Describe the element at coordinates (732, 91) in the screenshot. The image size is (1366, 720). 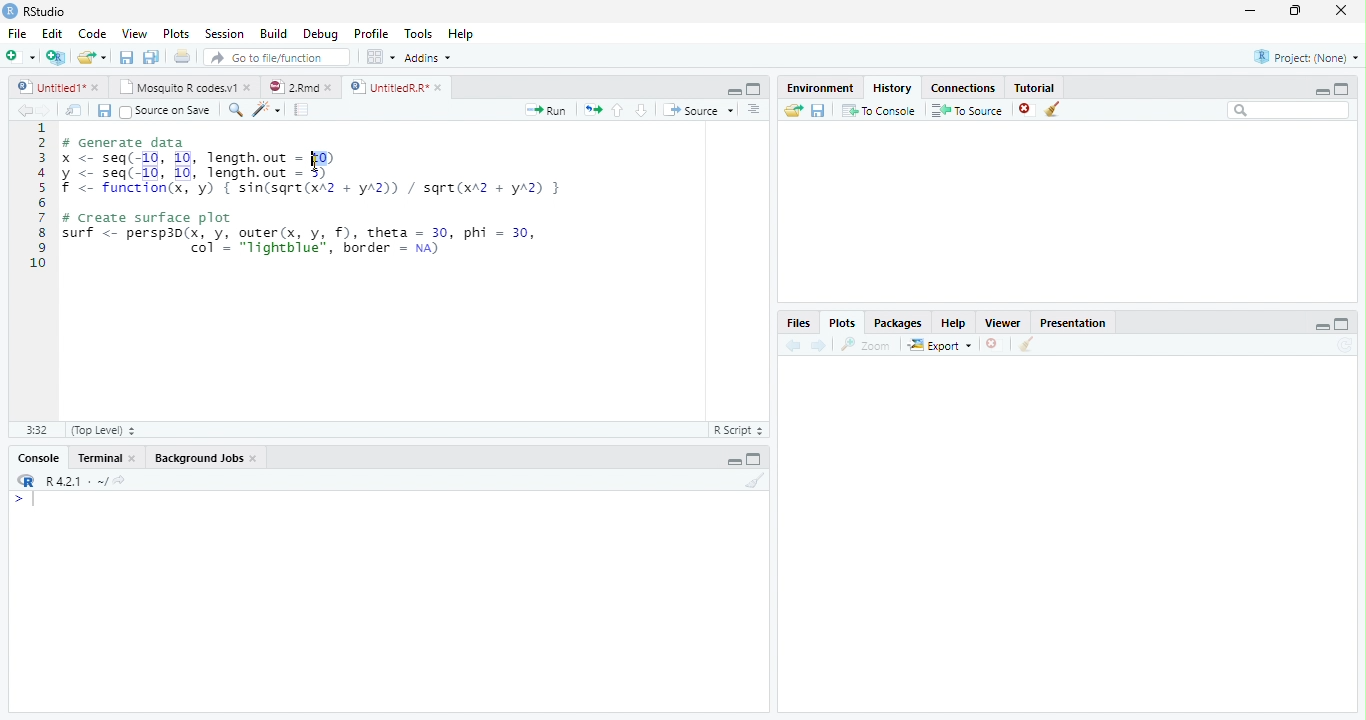
I see `Minimize` at that location.